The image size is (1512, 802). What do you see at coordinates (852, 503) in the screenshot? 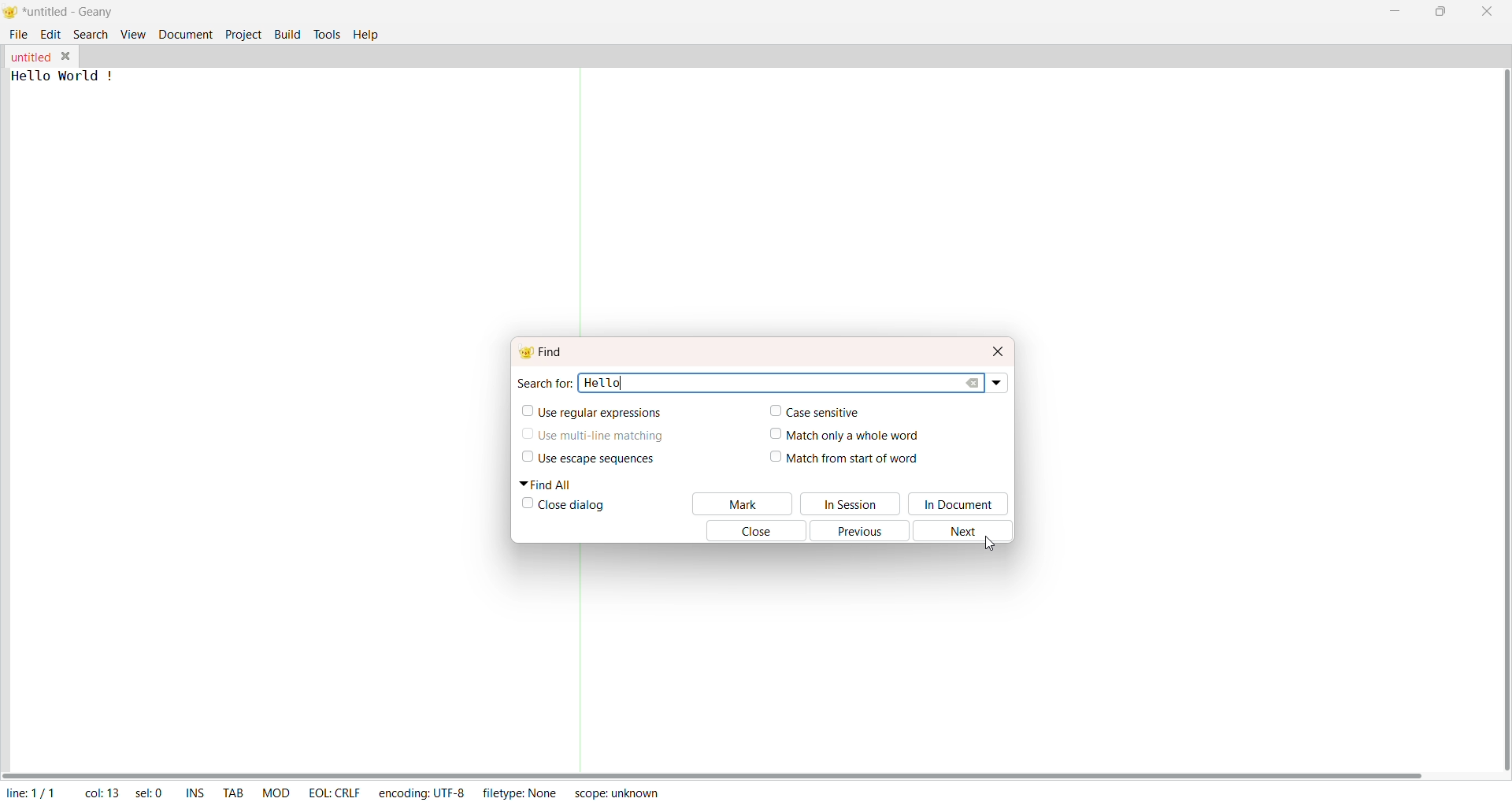
I see `In Session` at bounding box center [852, 503].